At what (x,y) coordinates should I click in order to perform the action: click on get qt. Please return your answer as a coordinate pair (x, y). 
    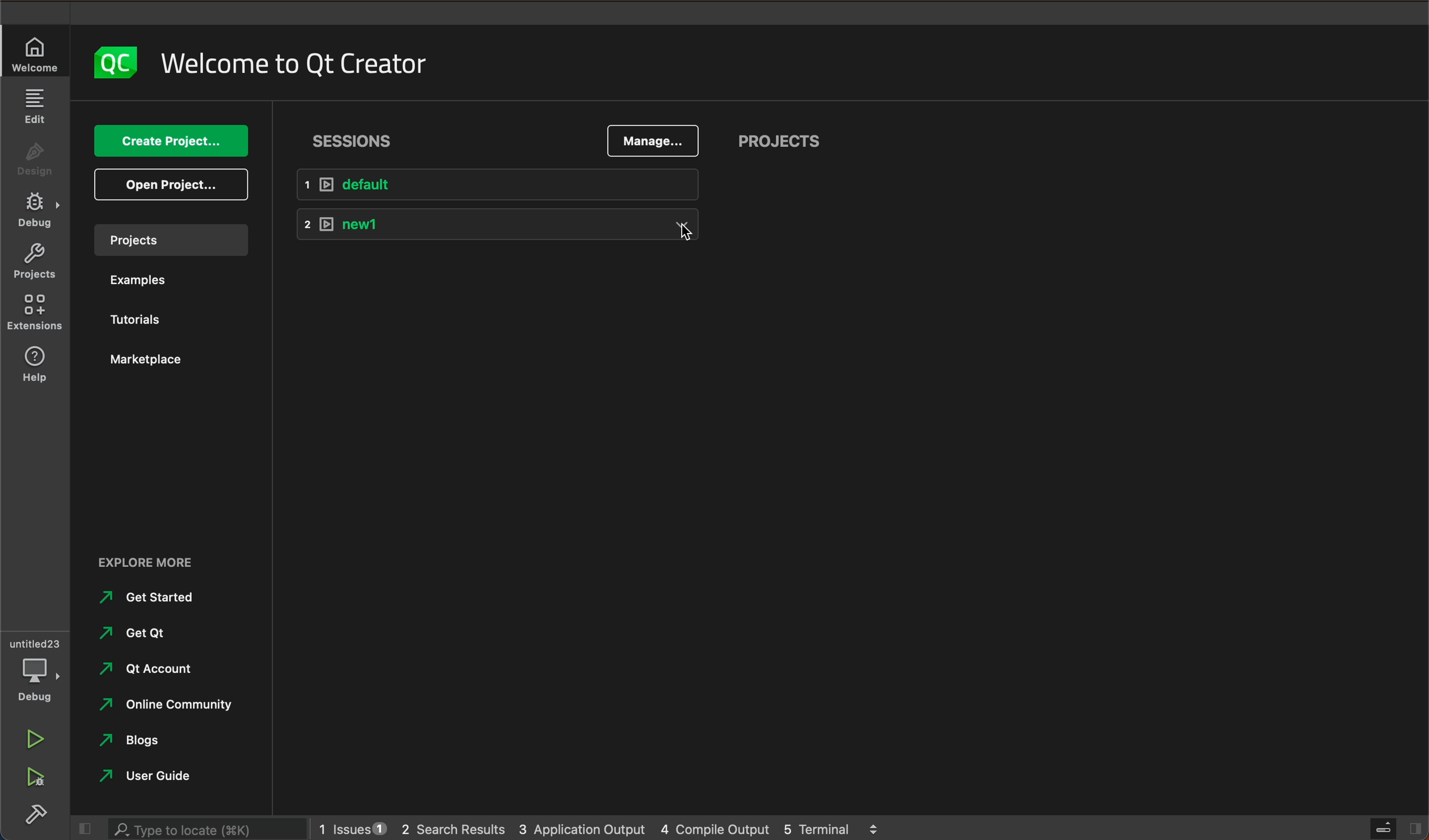
    Looking at the image, I should click on (144, 632).